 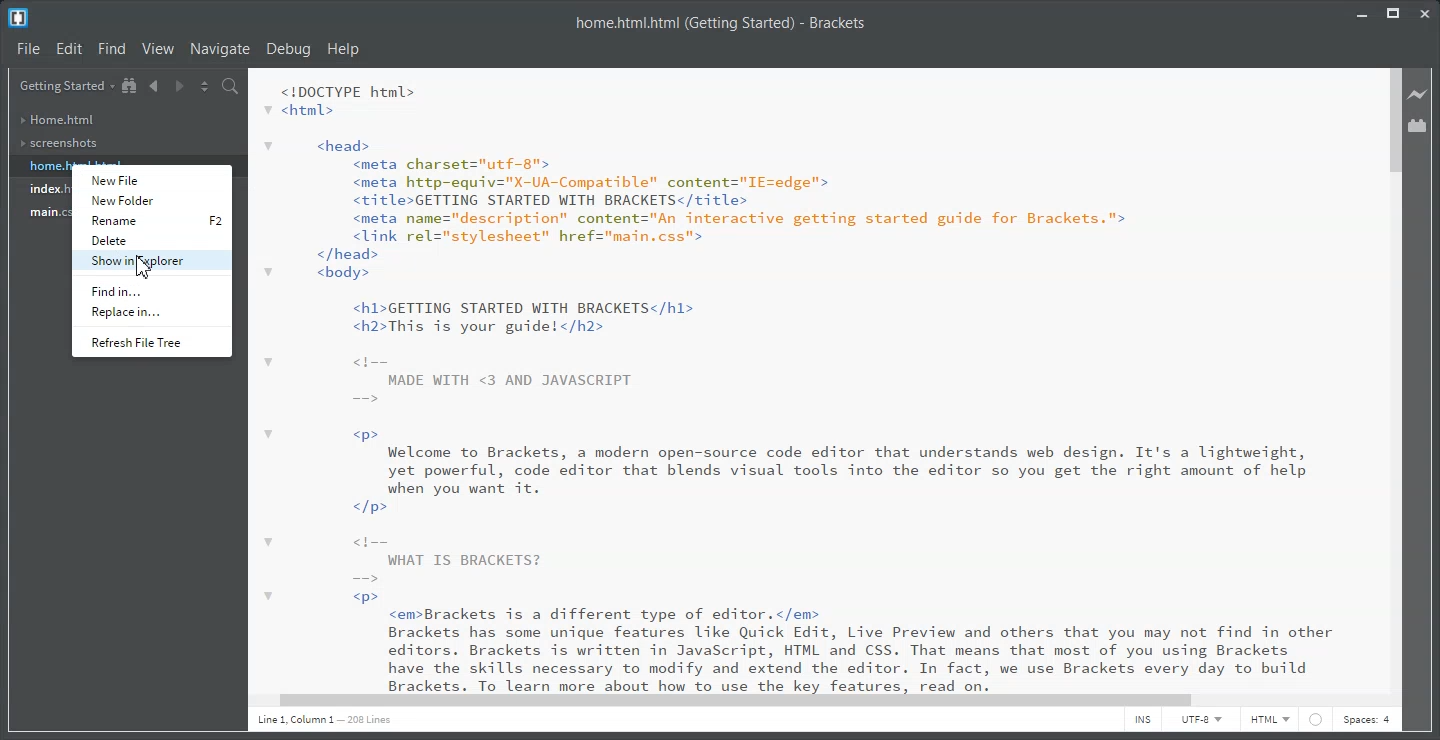 What do you see at coordinates (66, 86) in the screenshot?
I see `Getting Started` at bounding box center [66, 86].